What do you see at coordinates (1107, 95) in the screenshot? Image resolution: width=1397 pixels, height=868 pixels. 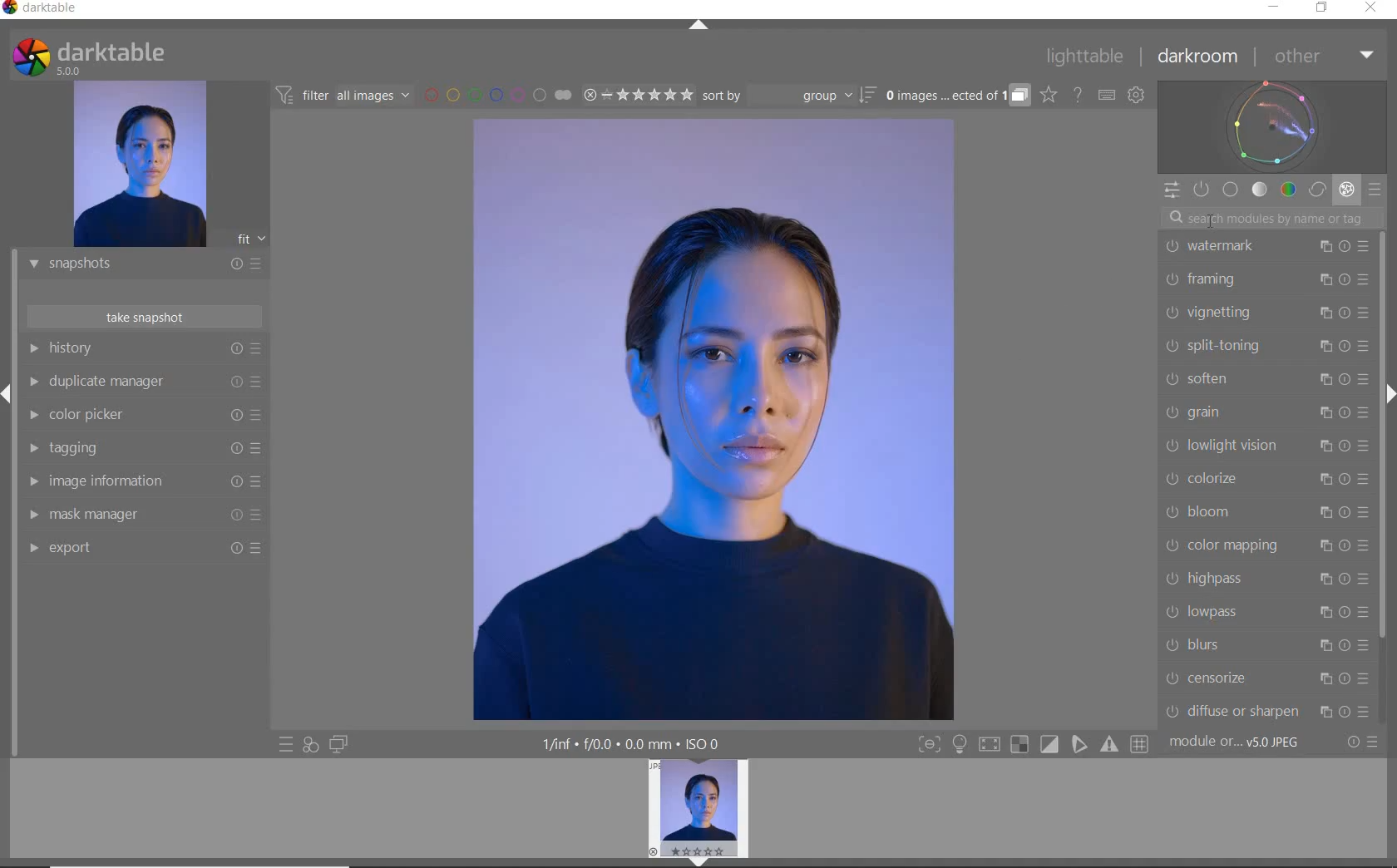 I see `SET KEYBOARD SHORTCUTS` at bounding box center [1107, 95].